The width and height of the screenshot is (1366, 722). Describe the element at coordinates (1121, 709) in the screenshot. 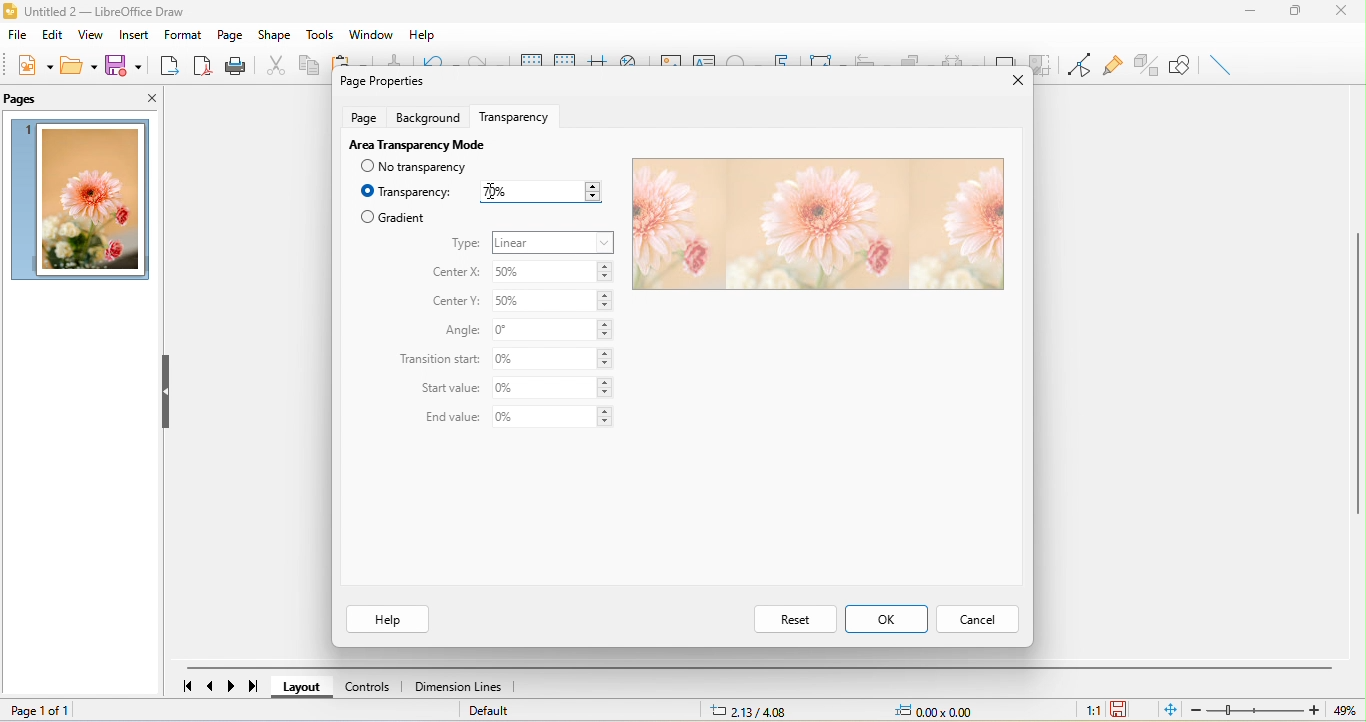

I see `the document has not been modified since the last save` at that location.